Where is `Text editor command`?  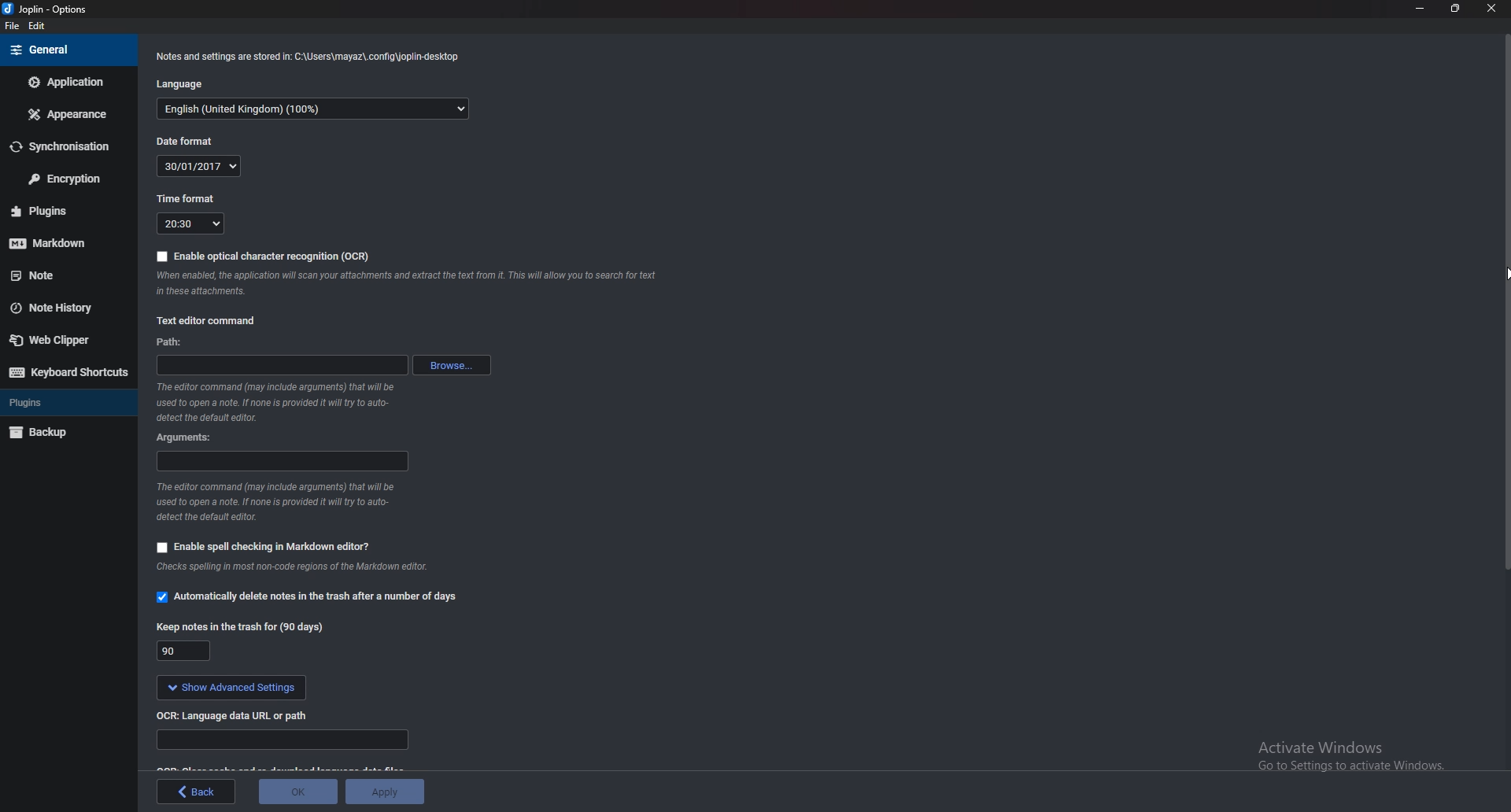
Text editor command is located at coordinates (212, 320).